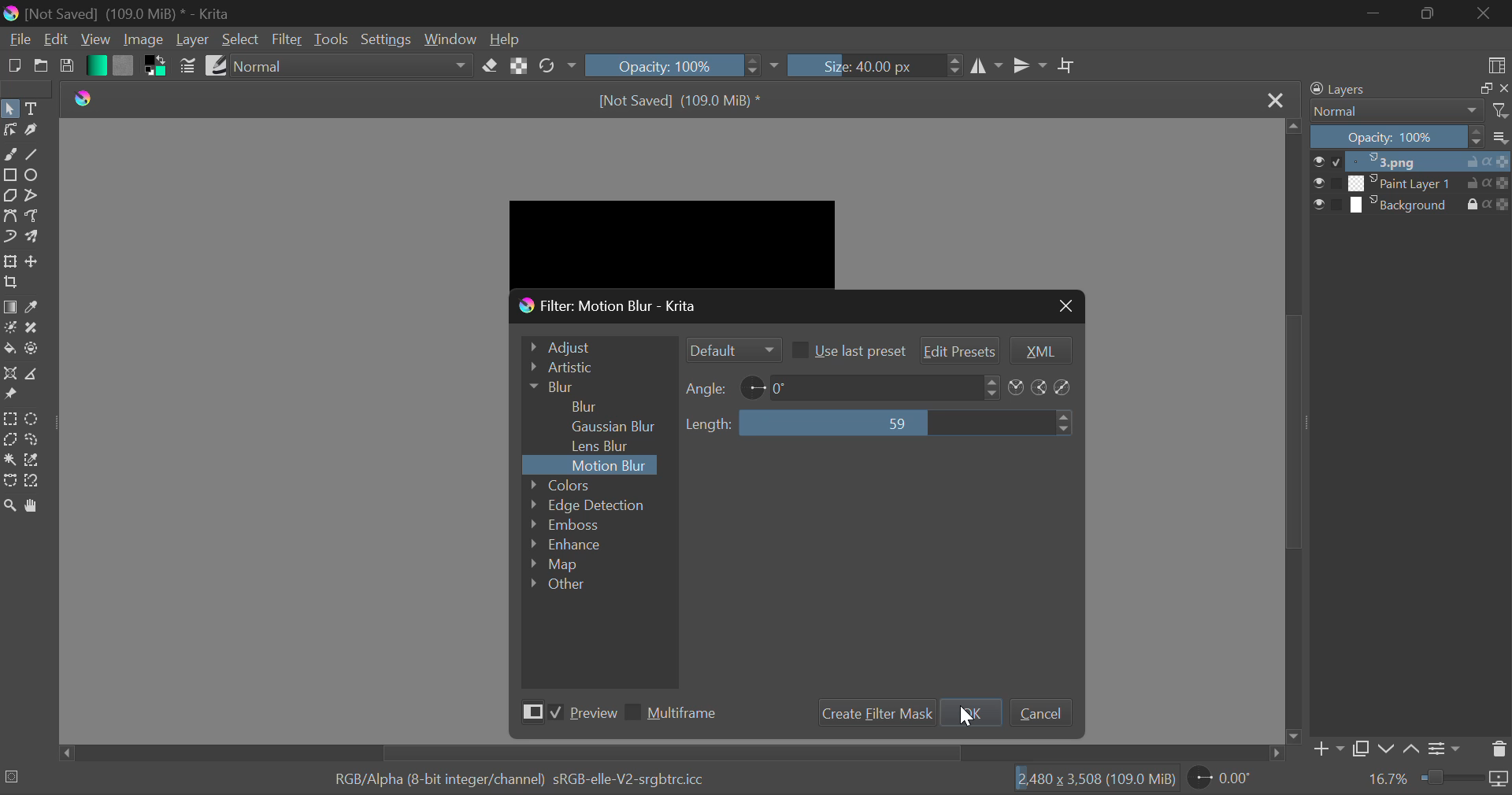  What do you see at coordinates (863, 66) in the screenshot?
I see `Size: 40.00 px` at bounding box center [863, 66].